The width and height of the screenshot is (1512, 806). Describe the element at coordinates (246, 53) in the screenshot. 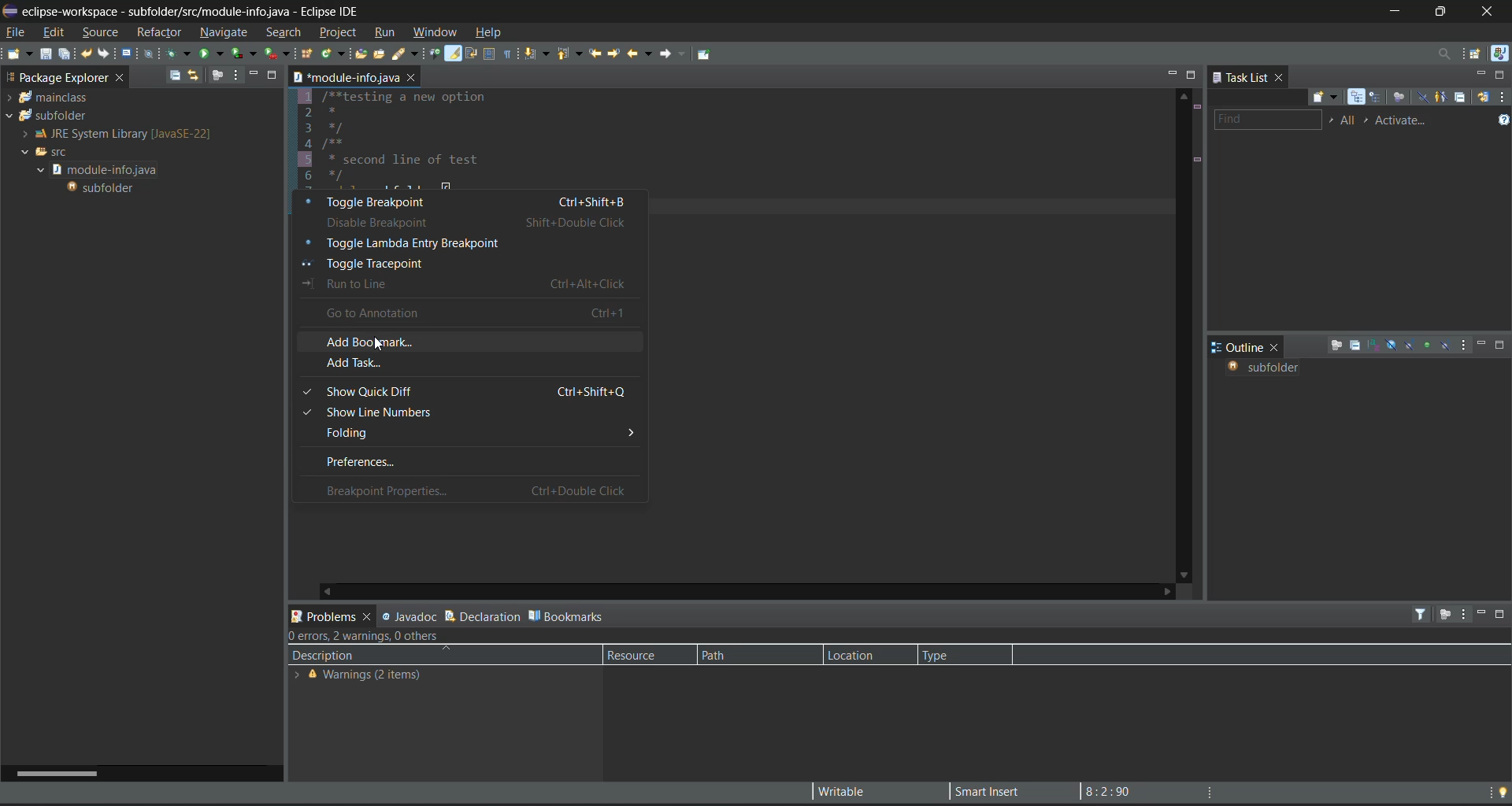

I see `coverage` at that location.